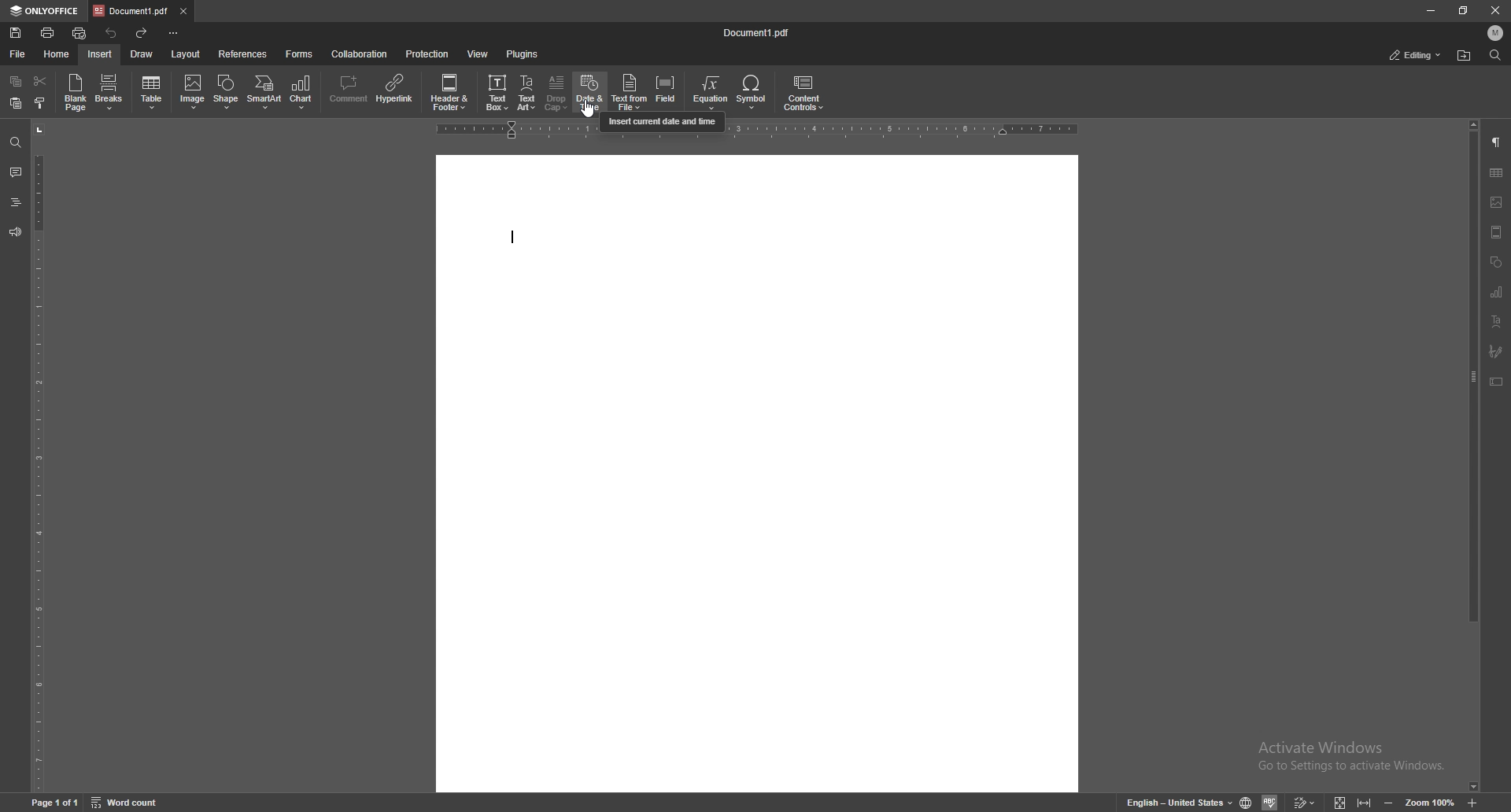  Describe the element at coordinates (1496, 232) in the screenshot. I see `view` at that location.